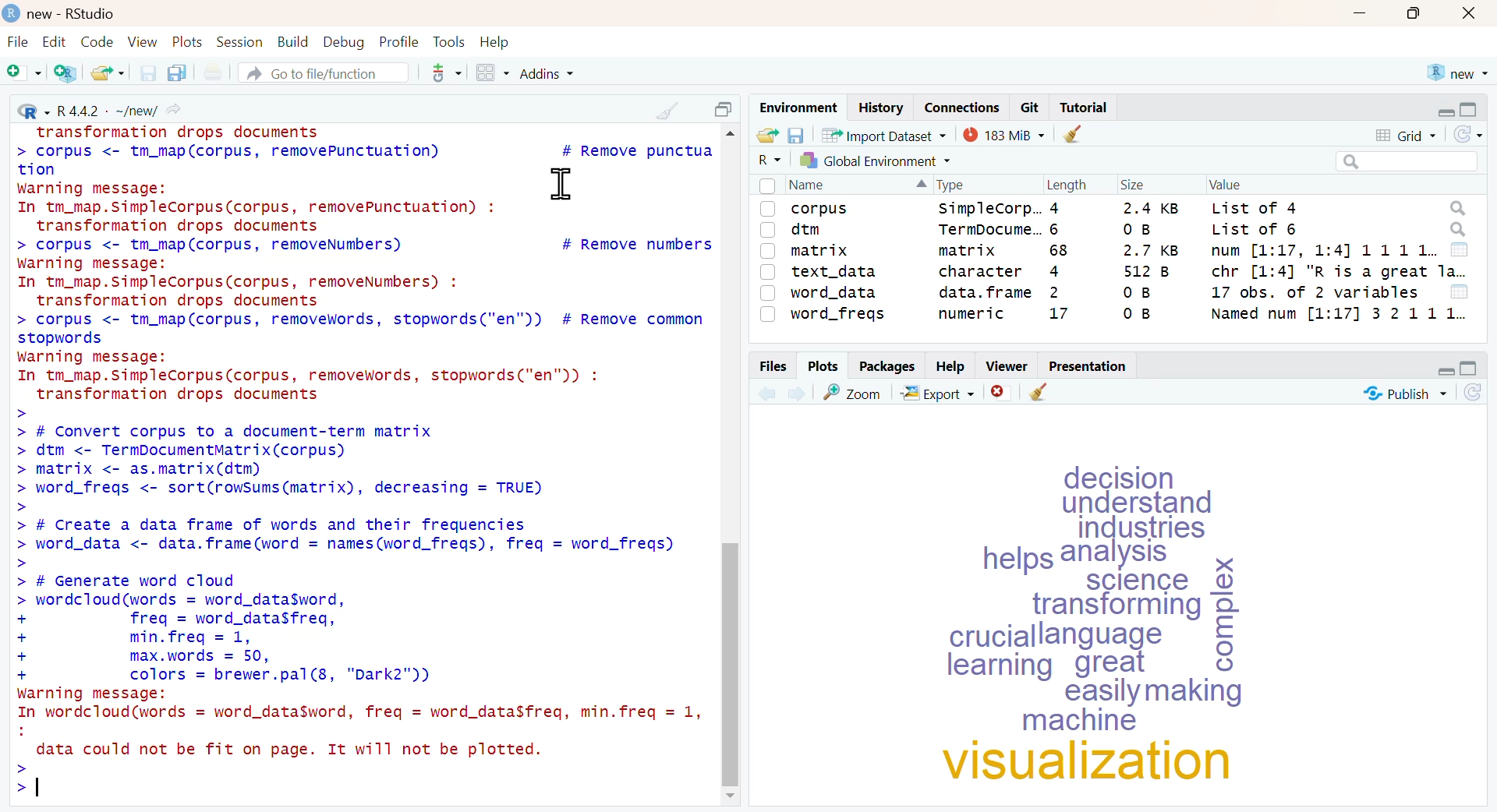 Image resolution: width=1497 pixels, height=812 pixels. What do you see at coordinates (734, 797) in the screenshot?
I see `scroll down` at bounding box center [734, 797].